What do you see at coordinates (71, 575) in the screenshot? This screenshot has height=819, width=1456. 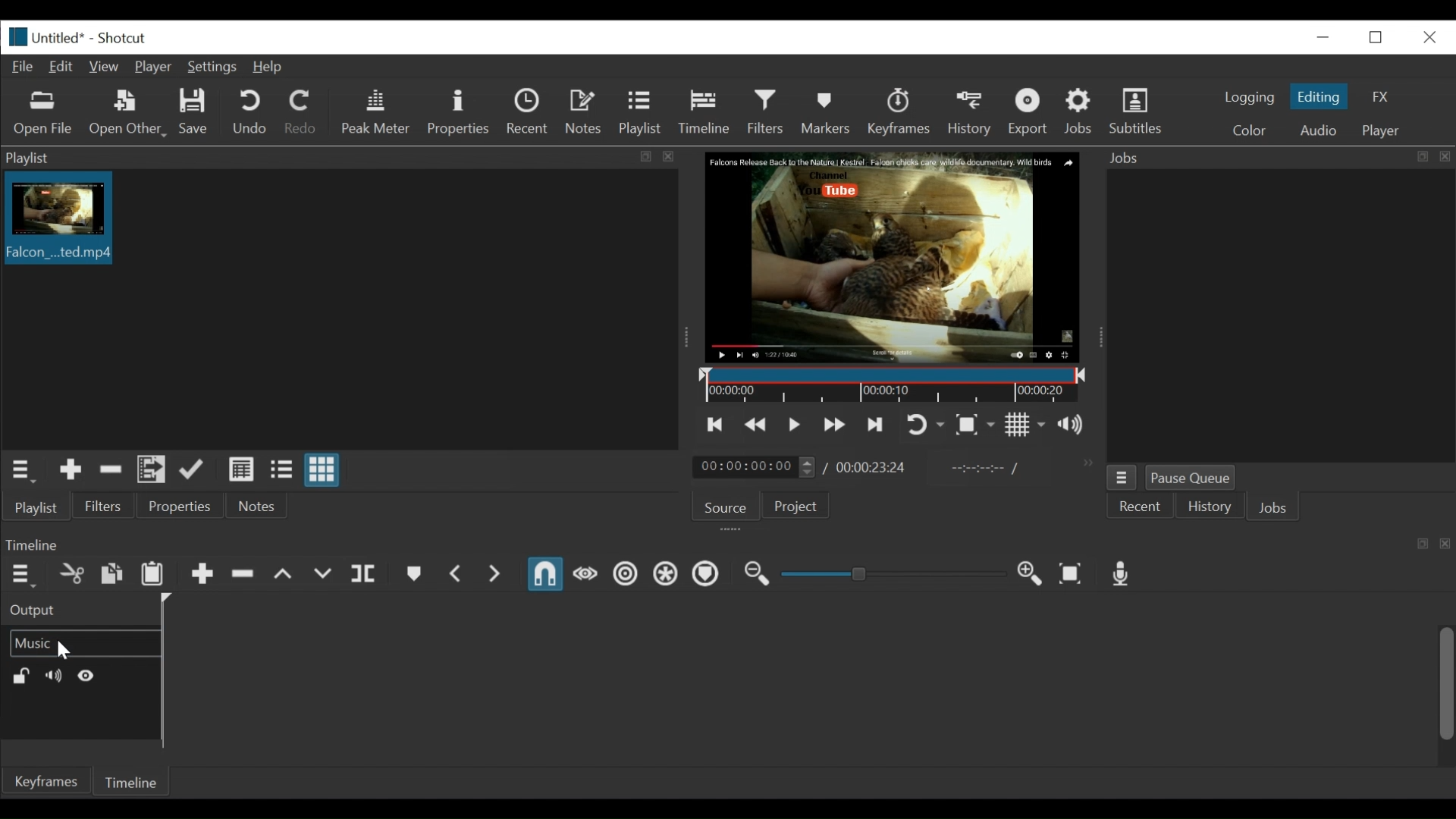 I see `Cut` at bounding box center [71, 575].